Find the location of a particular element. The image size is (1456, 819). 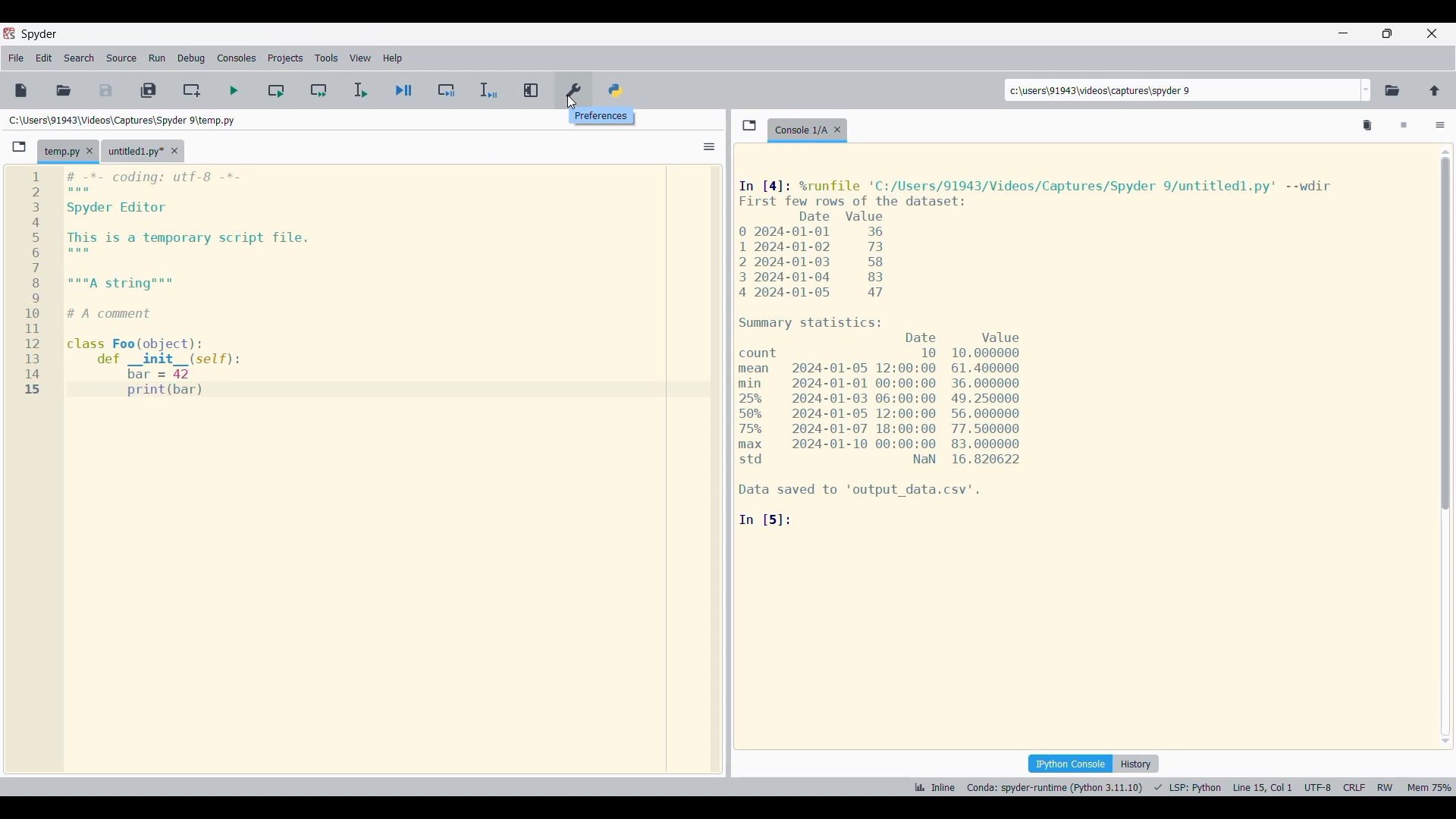

Minimize is located at coordinates (1343, 33).